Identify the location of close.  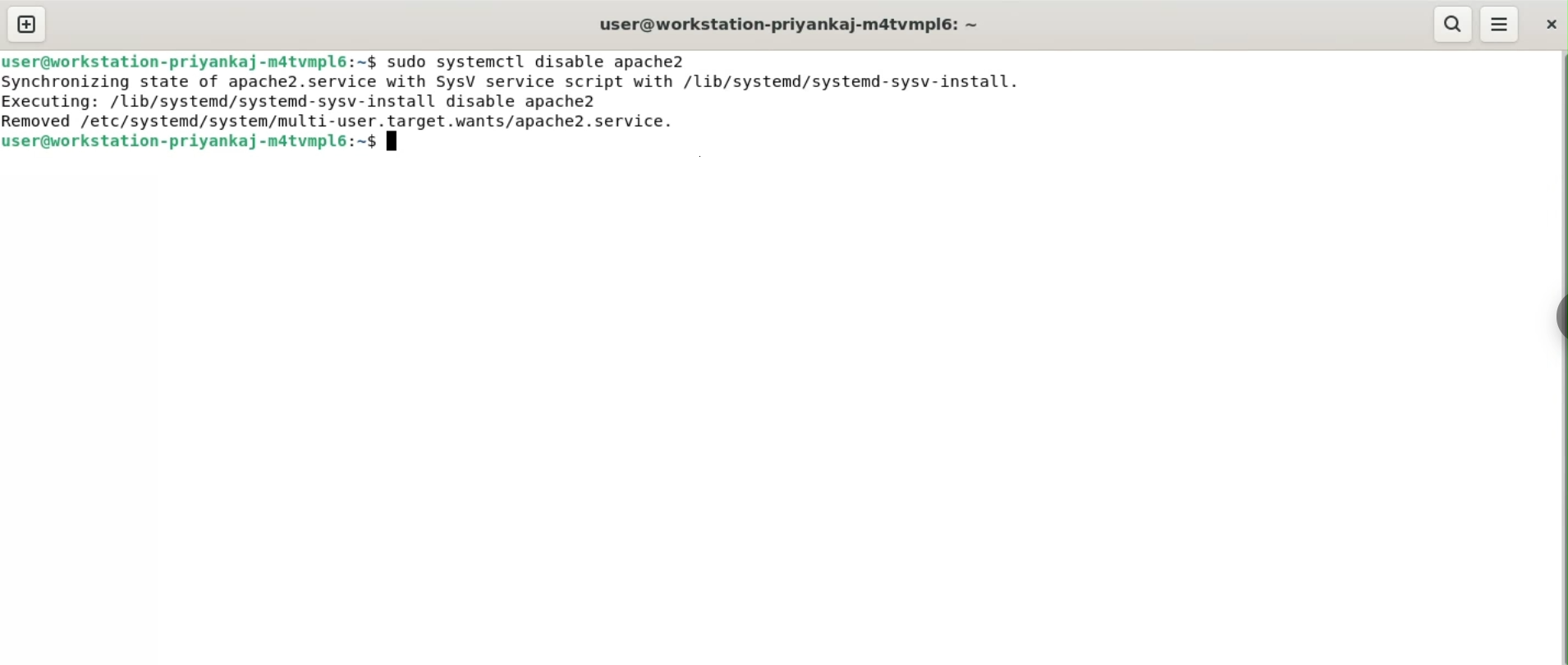
(1548, 25).